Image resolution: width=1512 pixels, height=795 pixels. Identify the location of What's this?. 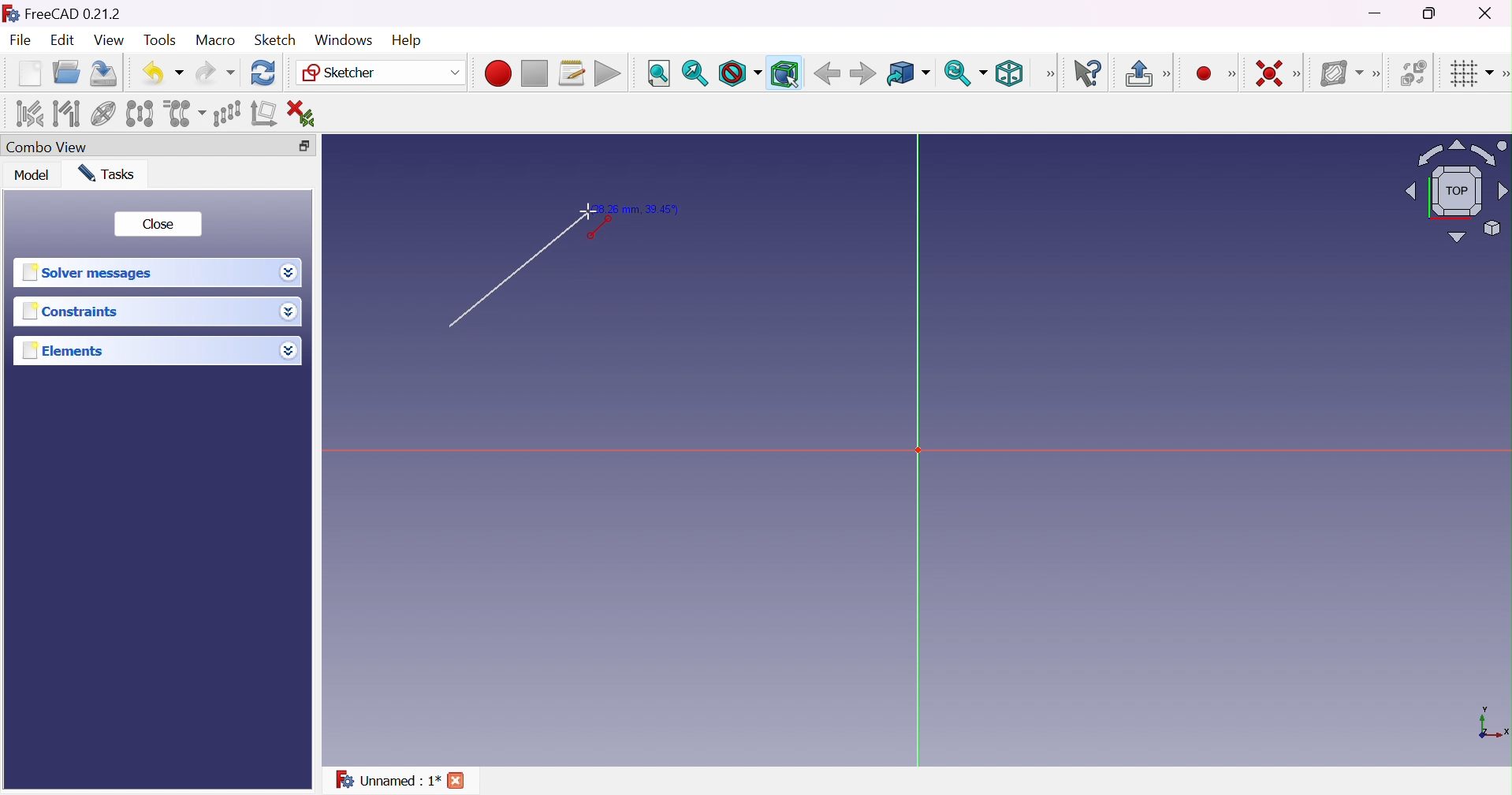
(1091, 74).